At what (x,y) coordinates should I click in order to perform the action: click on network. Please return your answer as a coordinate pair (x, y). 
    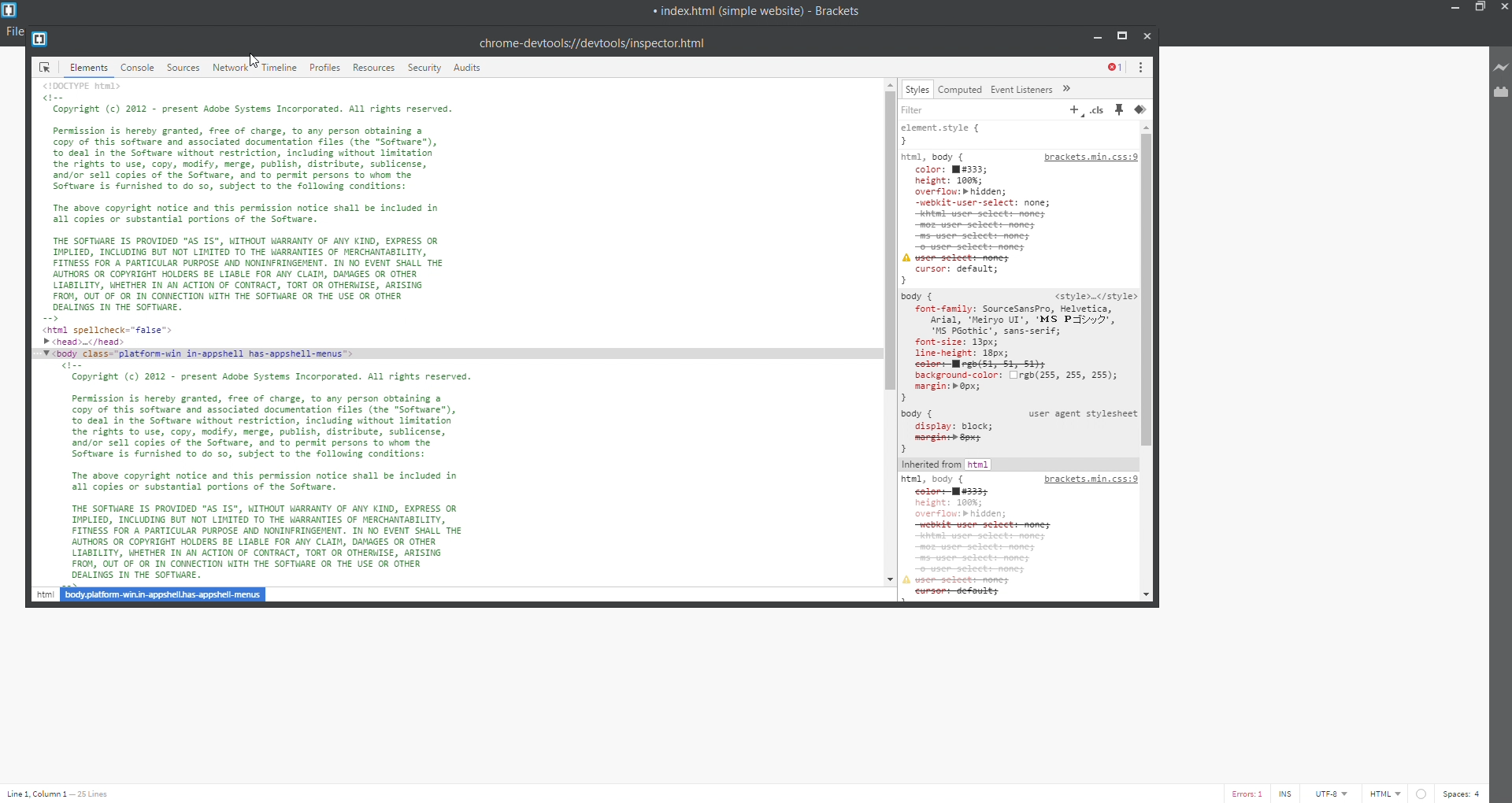
    Looking at the image, I should click on (230, 68).